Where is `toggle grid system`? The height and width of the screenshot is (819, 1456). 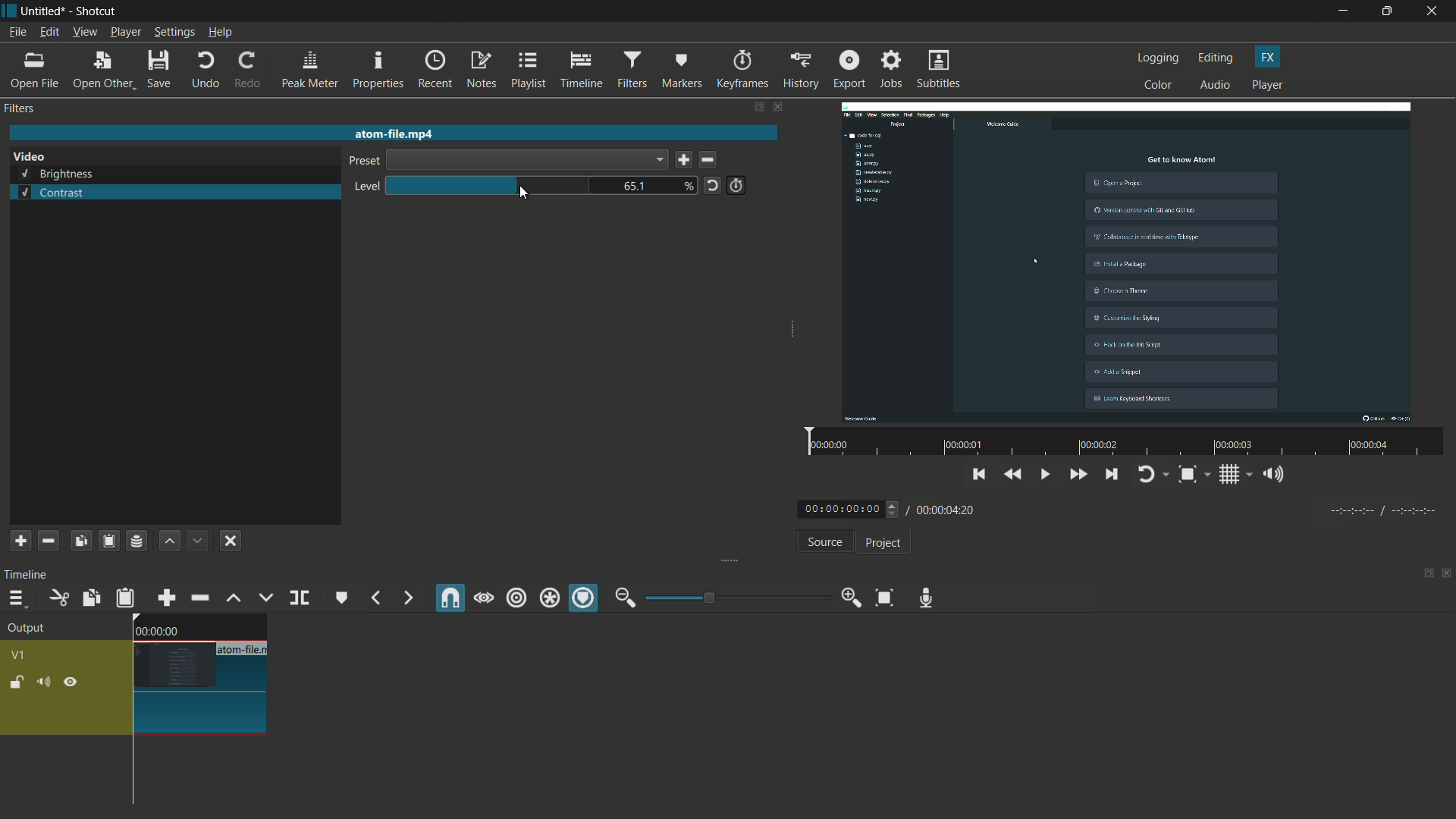
toggle grid system is located at coordinates (1237, 477).